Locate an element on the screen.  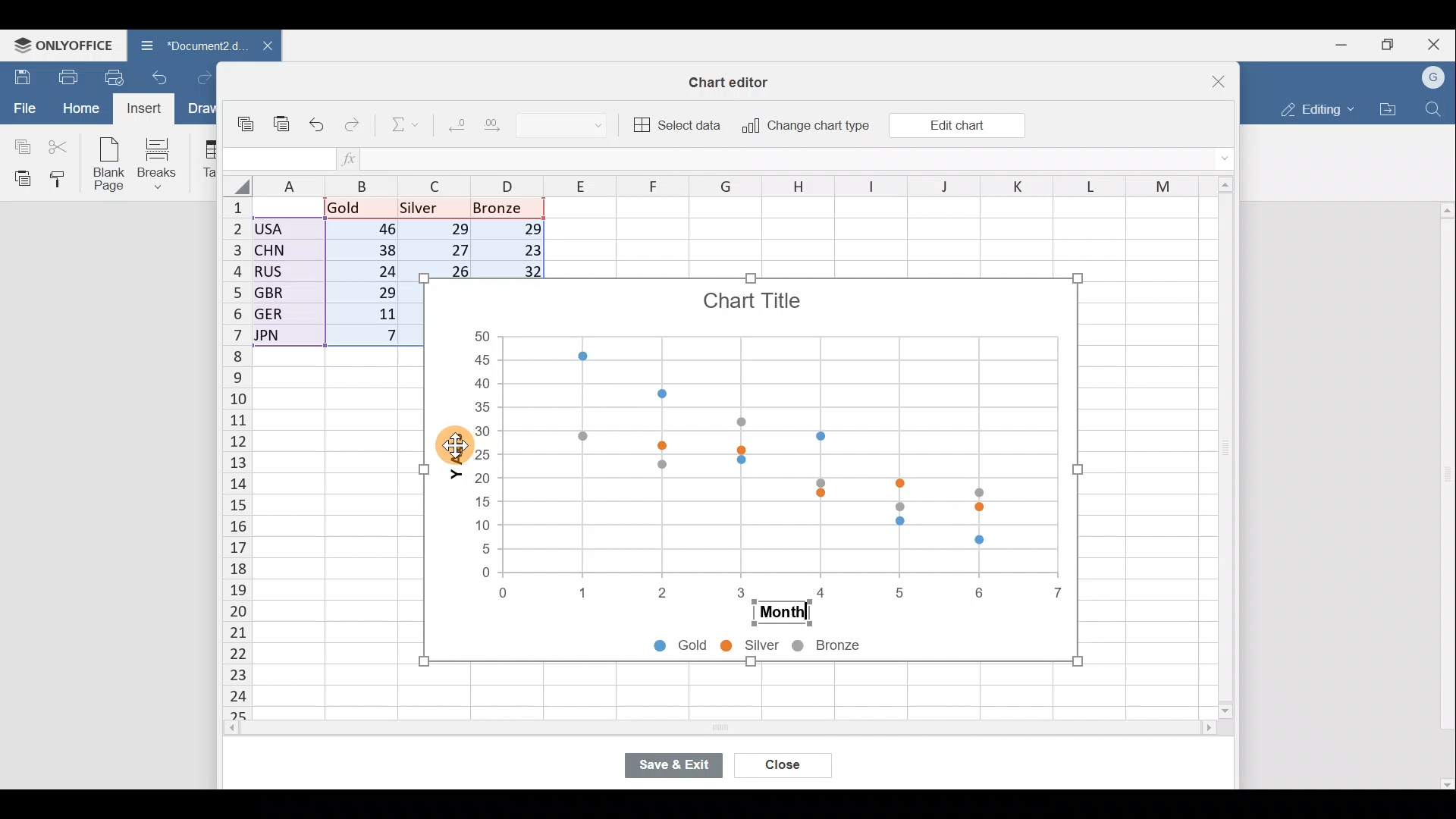
Copy style is located at coordinates (62, 180).